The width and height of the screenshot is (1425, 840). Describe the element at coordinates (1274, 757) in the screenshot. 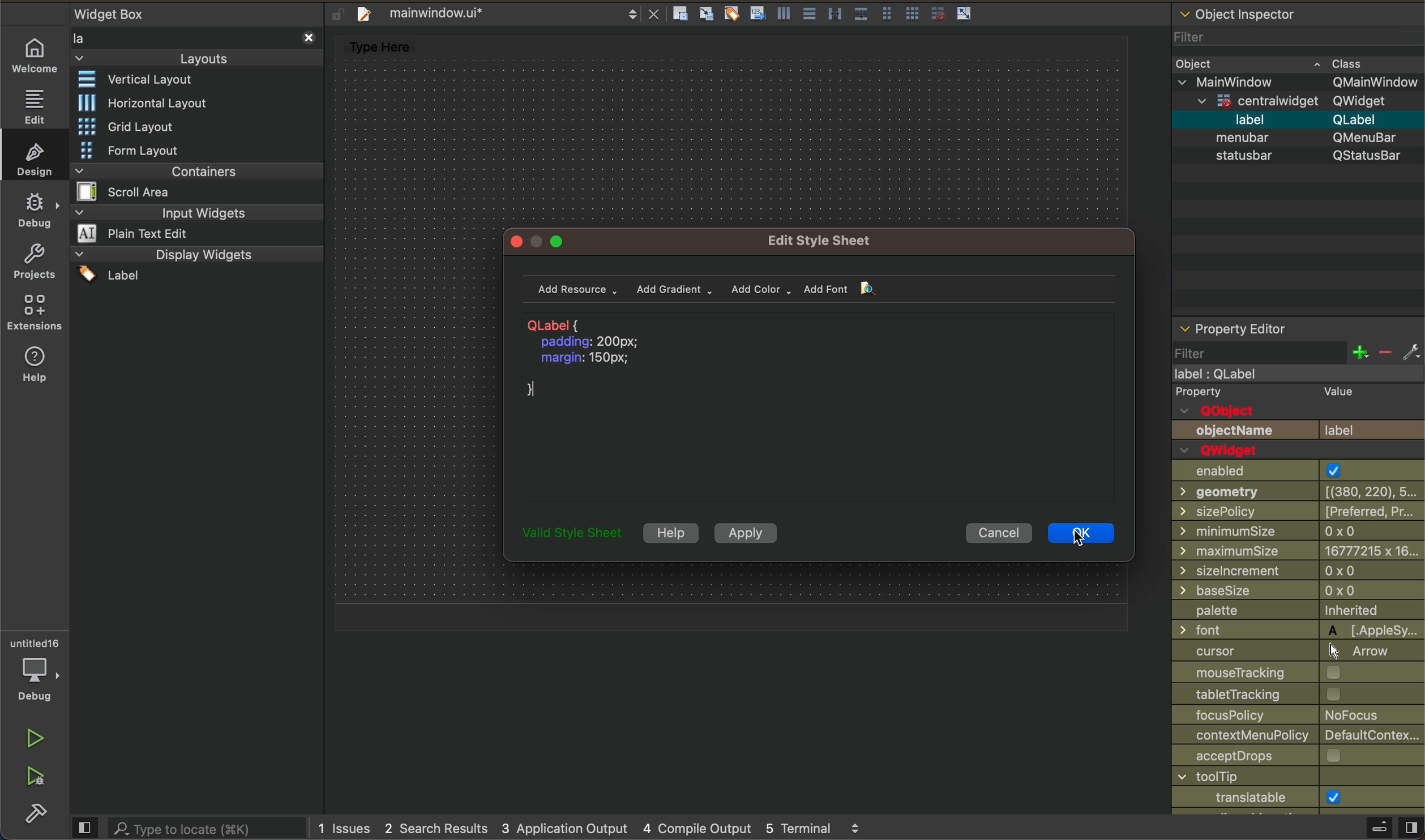

I see `accept drops` at that location.